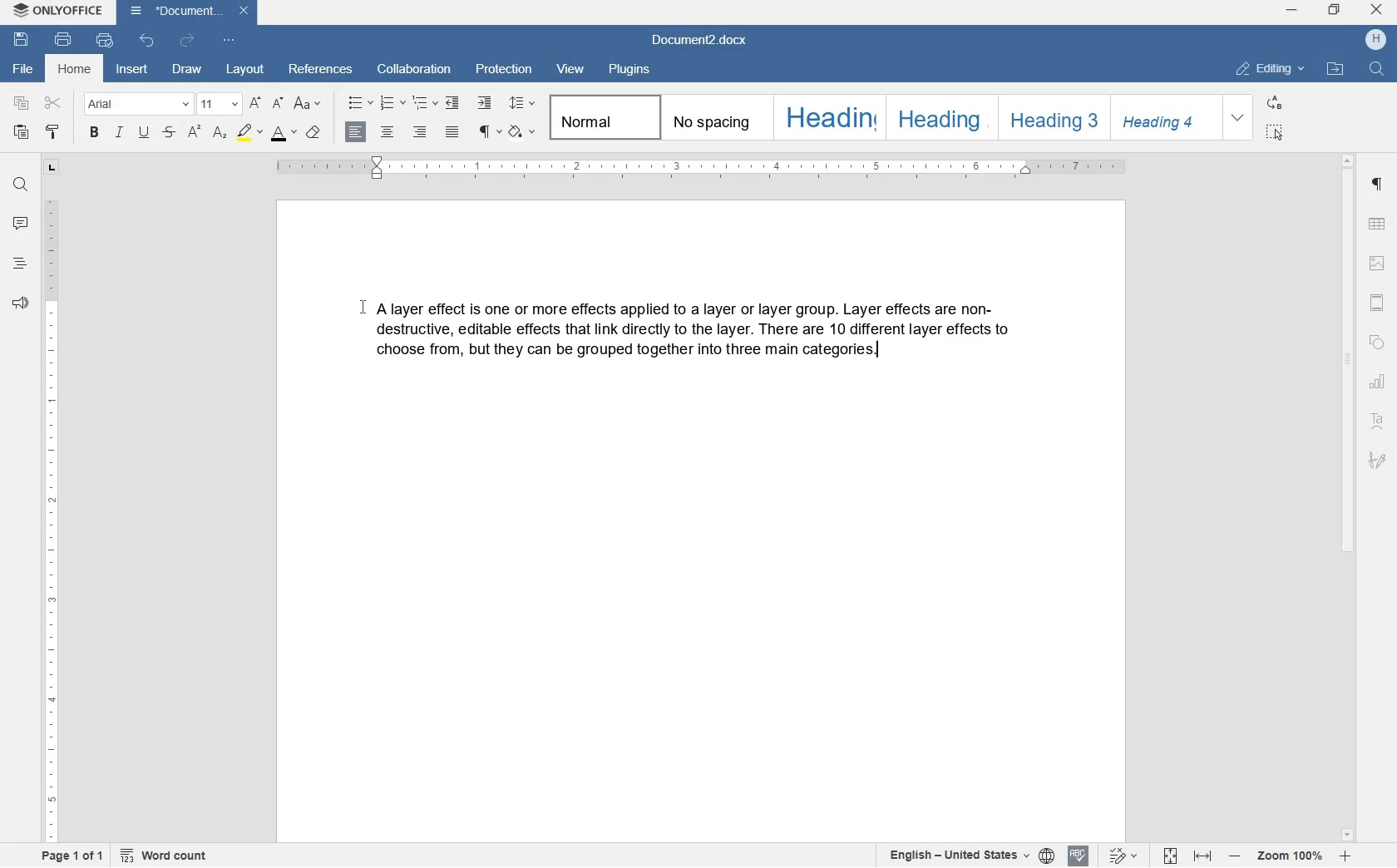  Describe the element at coordinates (1377, 460) in the screenshot. I see `signature` at that location.